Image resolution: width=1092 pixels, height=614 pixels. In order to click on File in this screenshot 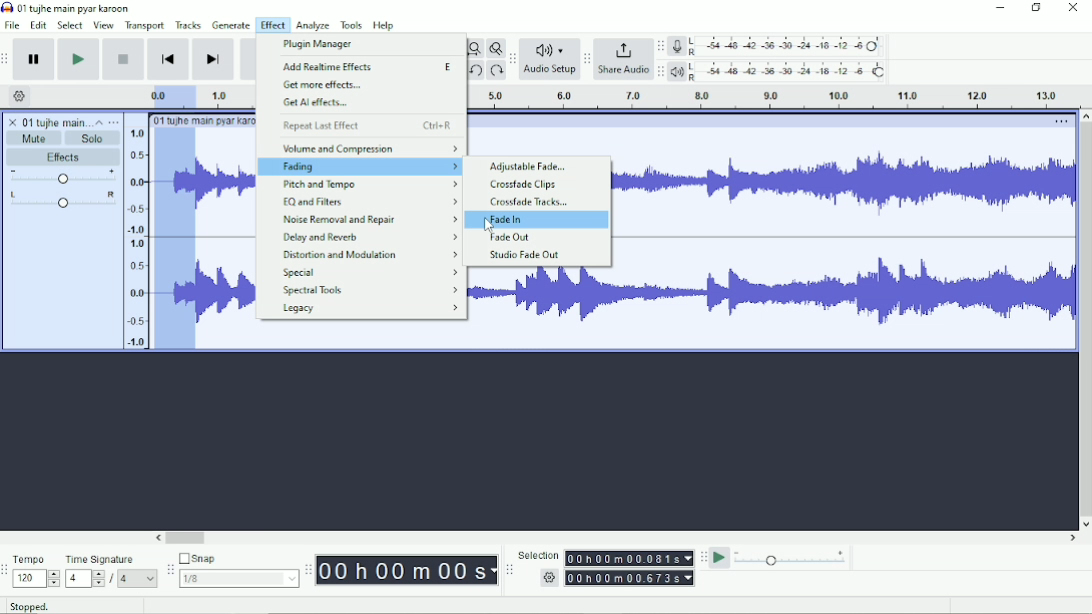, I will do `click(14, 25)`.